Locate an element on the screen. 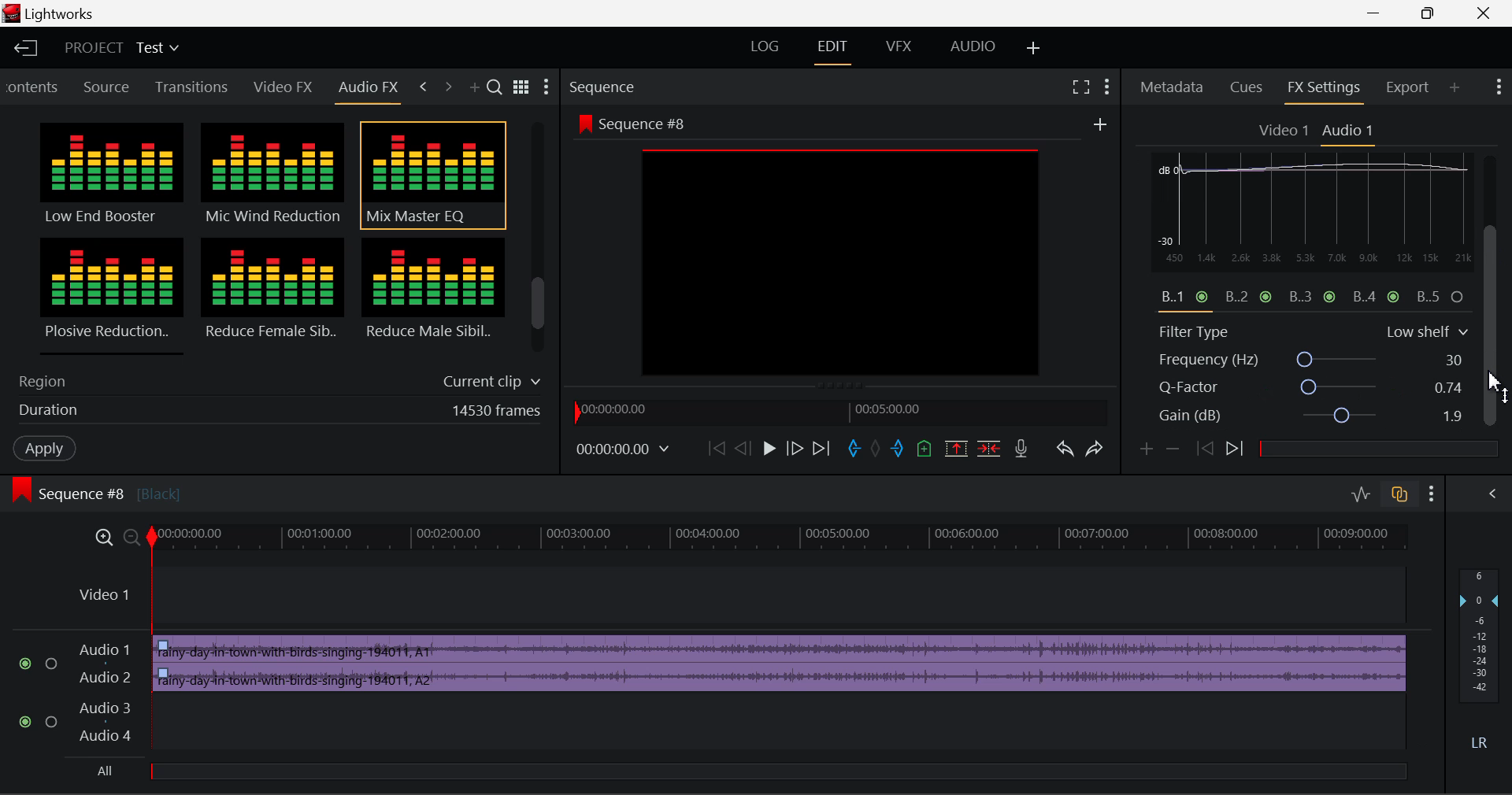 This screenshot has height=795, width=1512. Project Title is located at coordinates (120, 47).